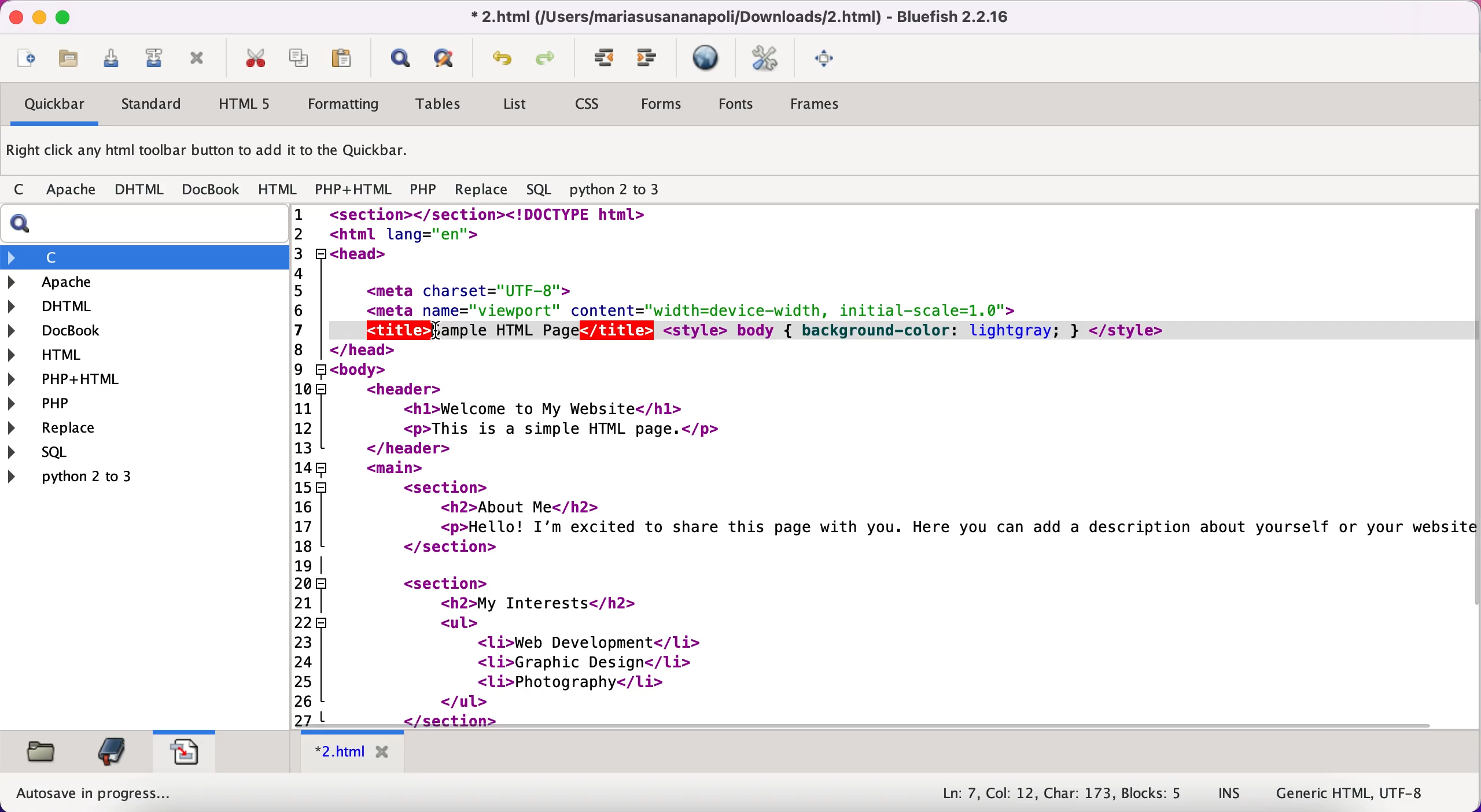 Image resolution: width=1481 pixels, height=812 pixels. Describe the element at coordinates (708, 58) in the screenshot. I see `preview in browser` at that location.